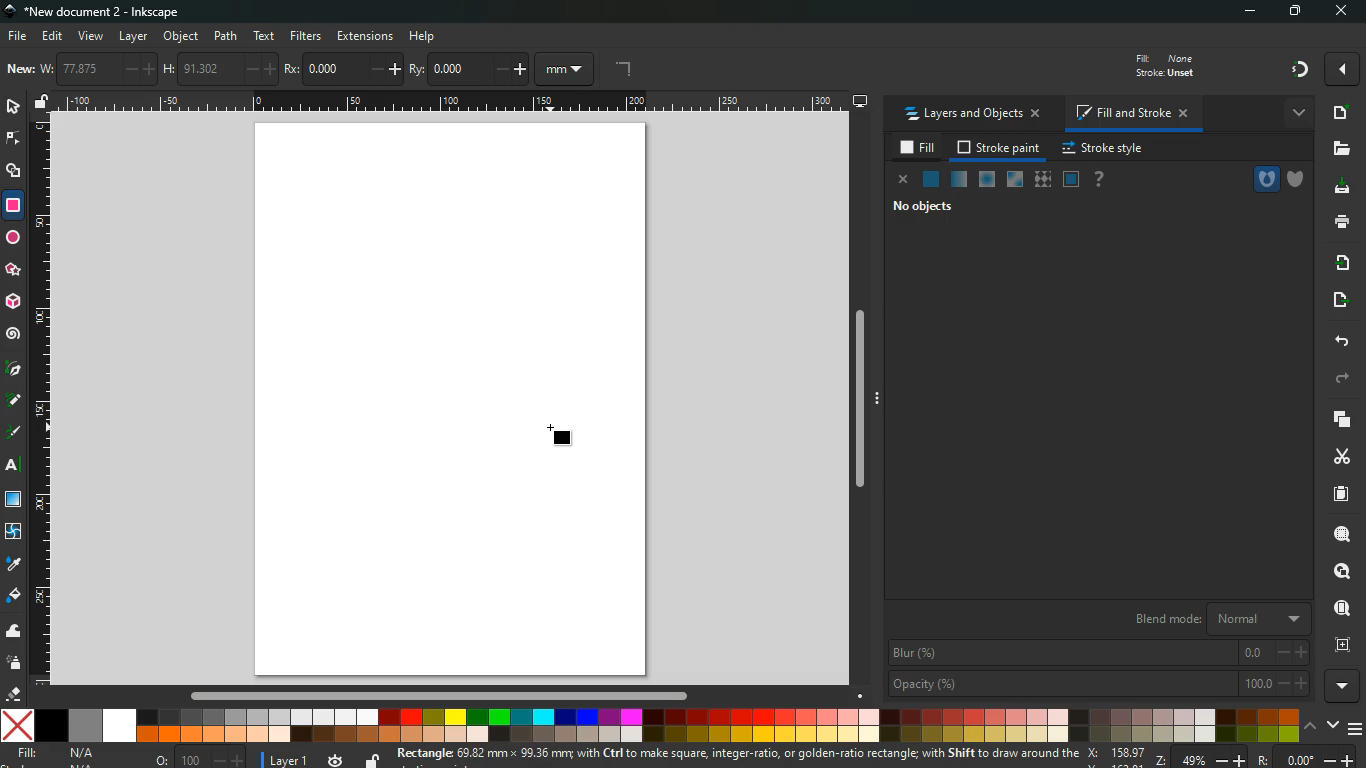  I want to click on layer, so click(137, 36).